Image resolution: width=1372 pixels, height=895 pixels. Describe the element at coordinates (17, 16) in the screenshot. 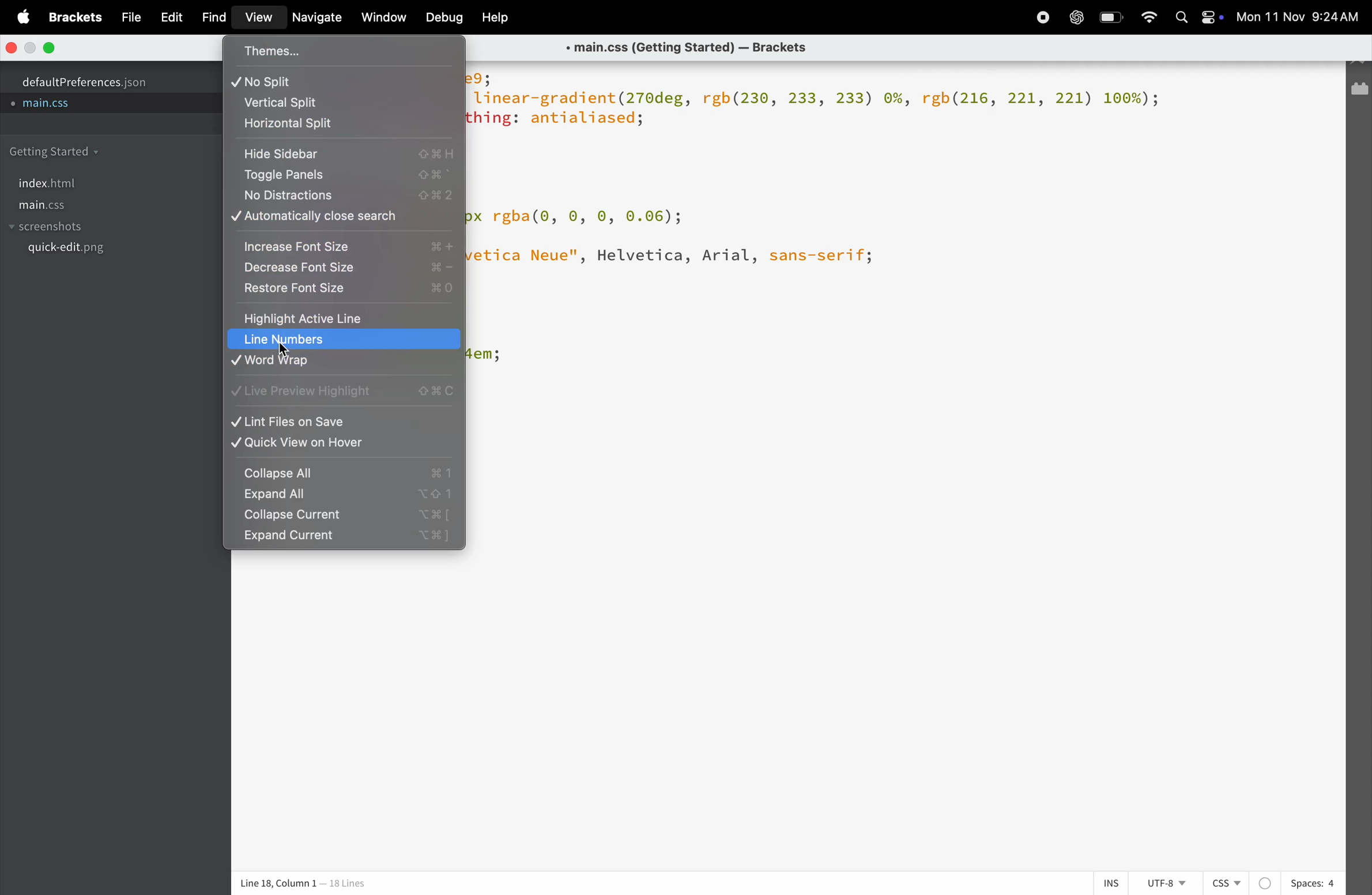

I see `apple menu` at that location.